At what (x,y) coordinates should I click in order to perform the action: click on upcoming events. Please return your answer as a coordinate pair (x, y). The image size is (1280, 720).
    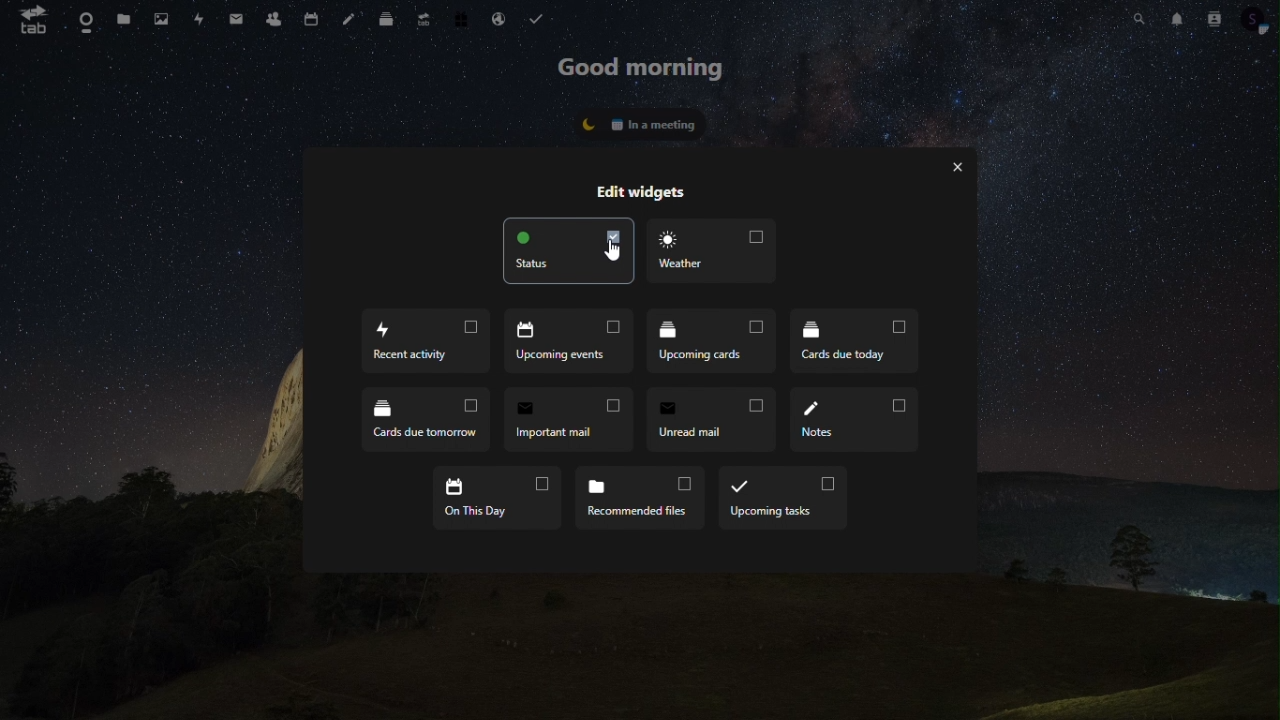
    Looking at the image, I should click on (569, 339).